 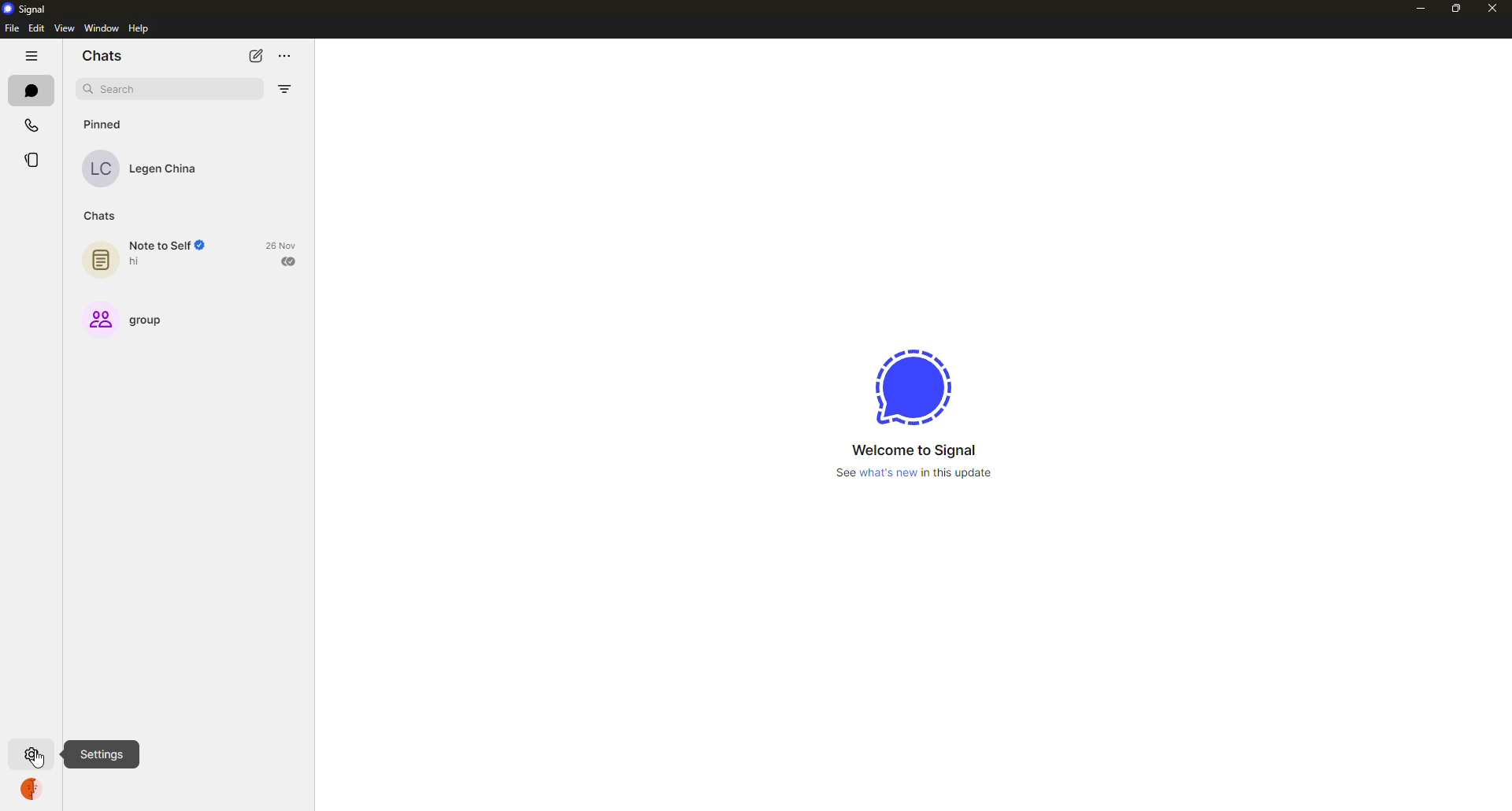 What do you see at coordinates (29, 124) in the screenshot?
I see `calls` at bounding box center [29, 124].